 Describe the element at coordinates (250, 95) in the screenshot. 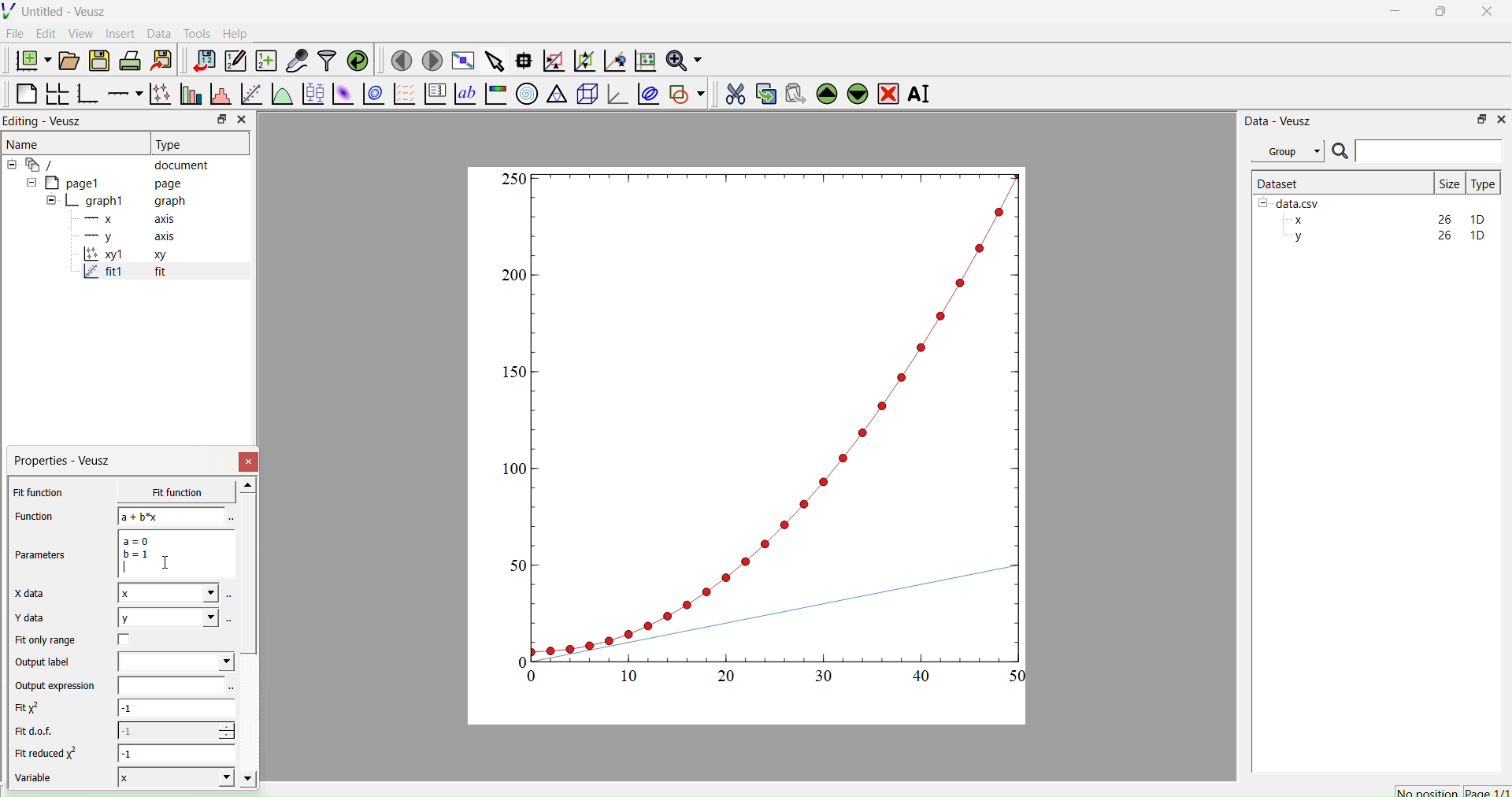

I see `Fit a function to data` at that location.